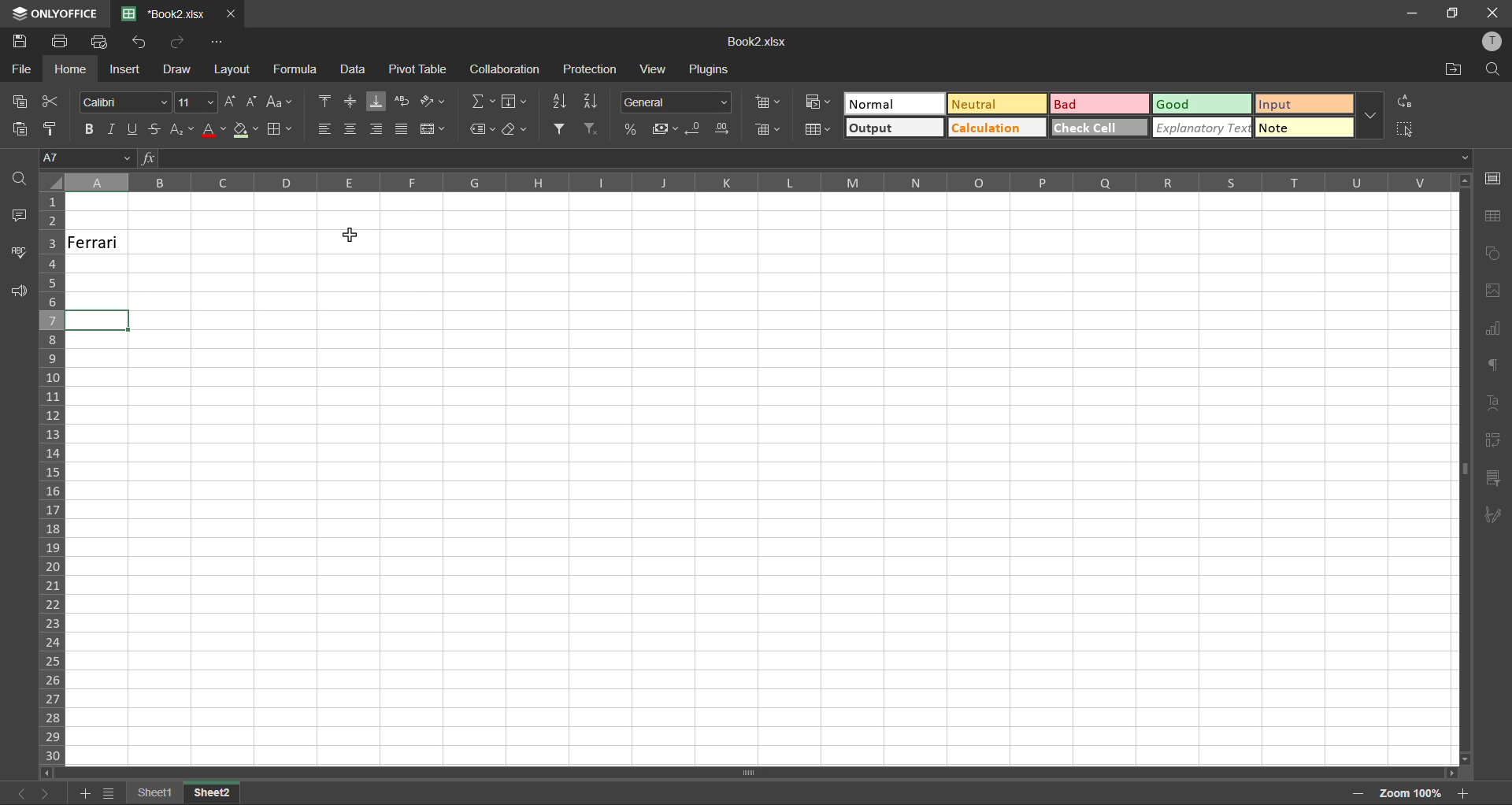 The image size is (1512, 805). Describe the element at coordinates (46, 791) in the screenshot. I see `next` at that location.